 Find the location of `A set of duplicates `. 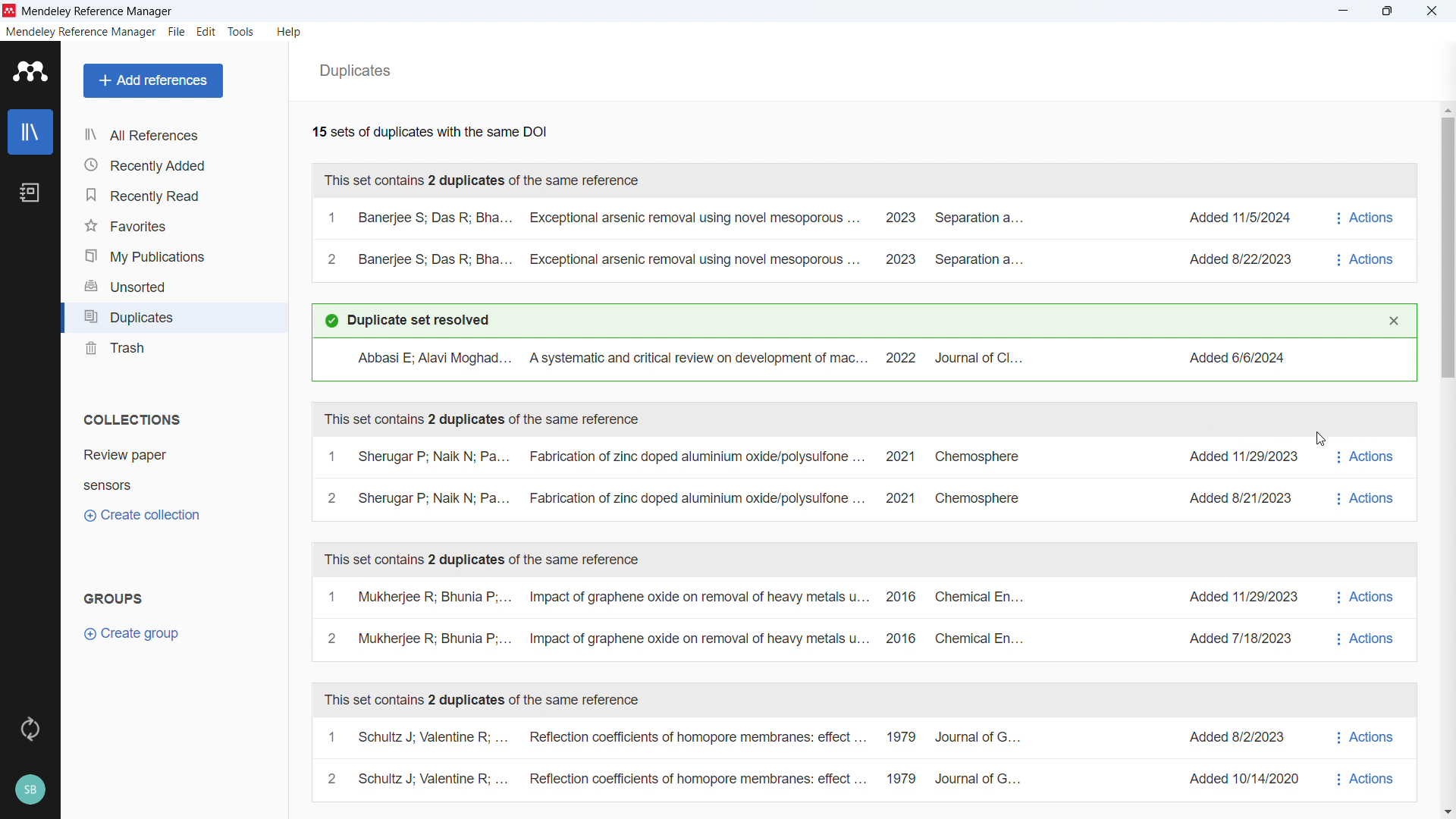

A set of duplicates  is located at coordinates (808, 758).